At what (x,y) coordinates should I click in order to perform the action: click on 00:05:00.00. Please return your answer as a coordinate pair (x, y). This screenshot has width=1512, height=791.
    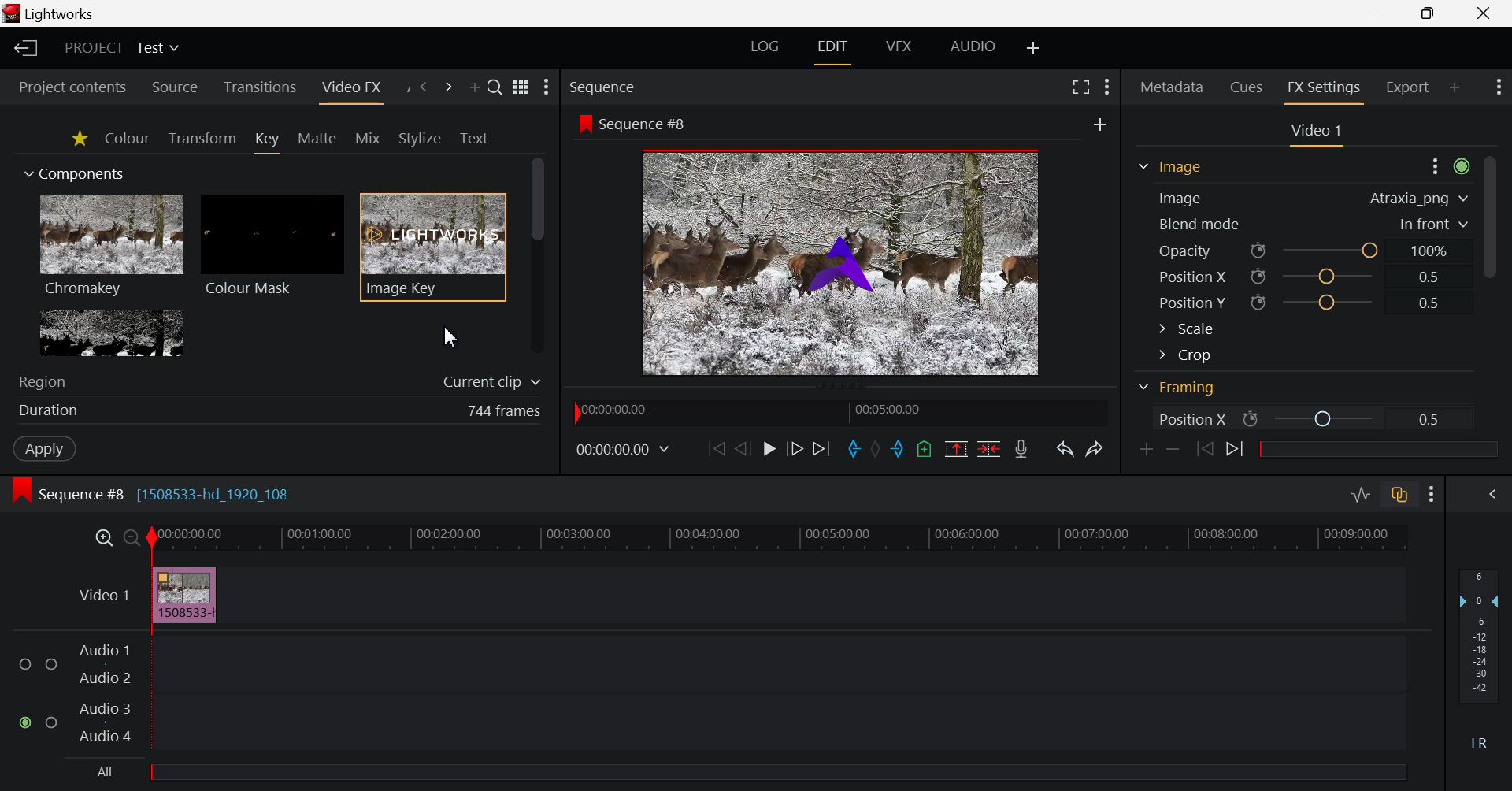
    Looking at the image, I should click on (892, 410).